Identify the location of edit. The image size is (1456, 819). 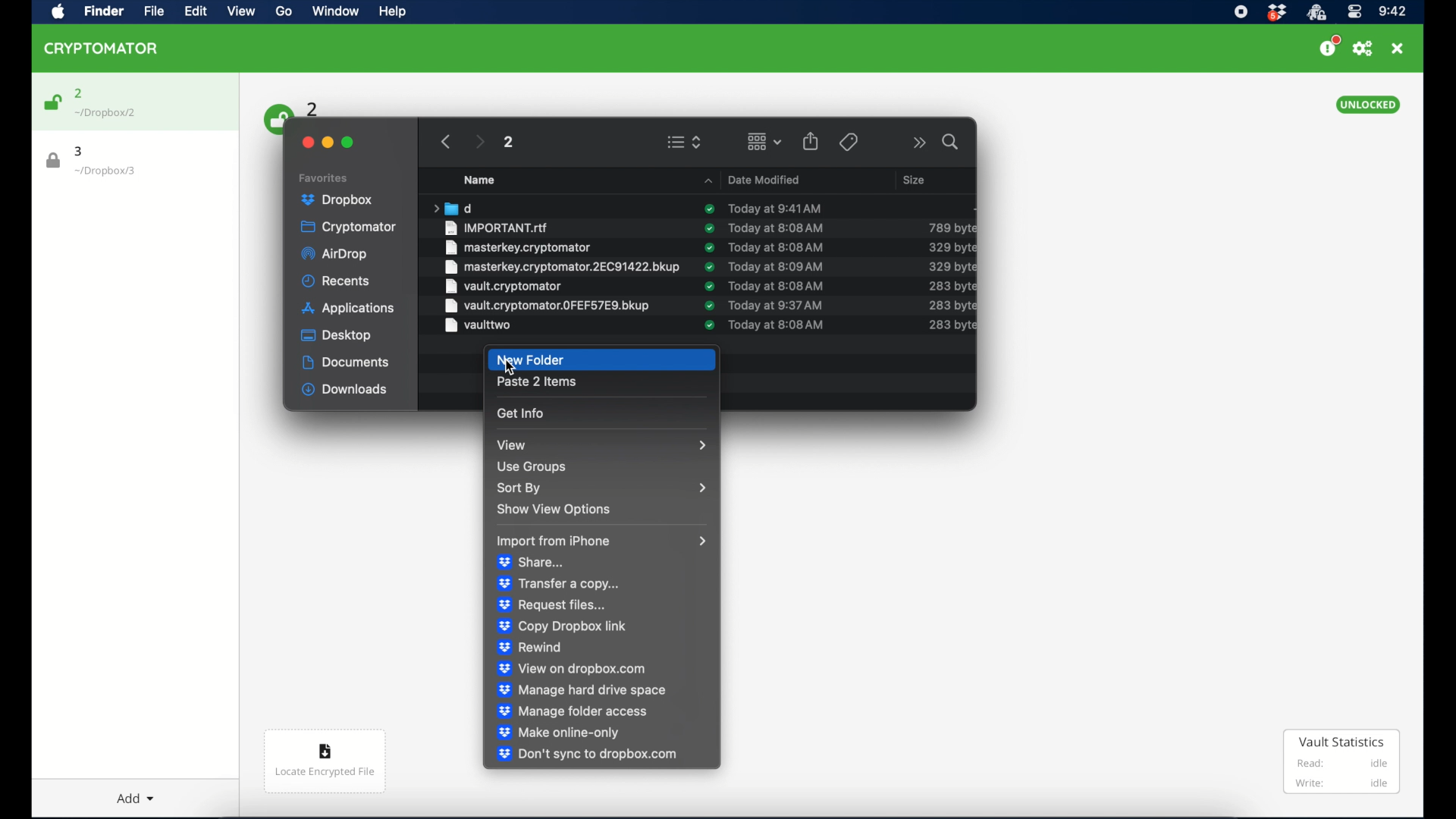
(195, 11).